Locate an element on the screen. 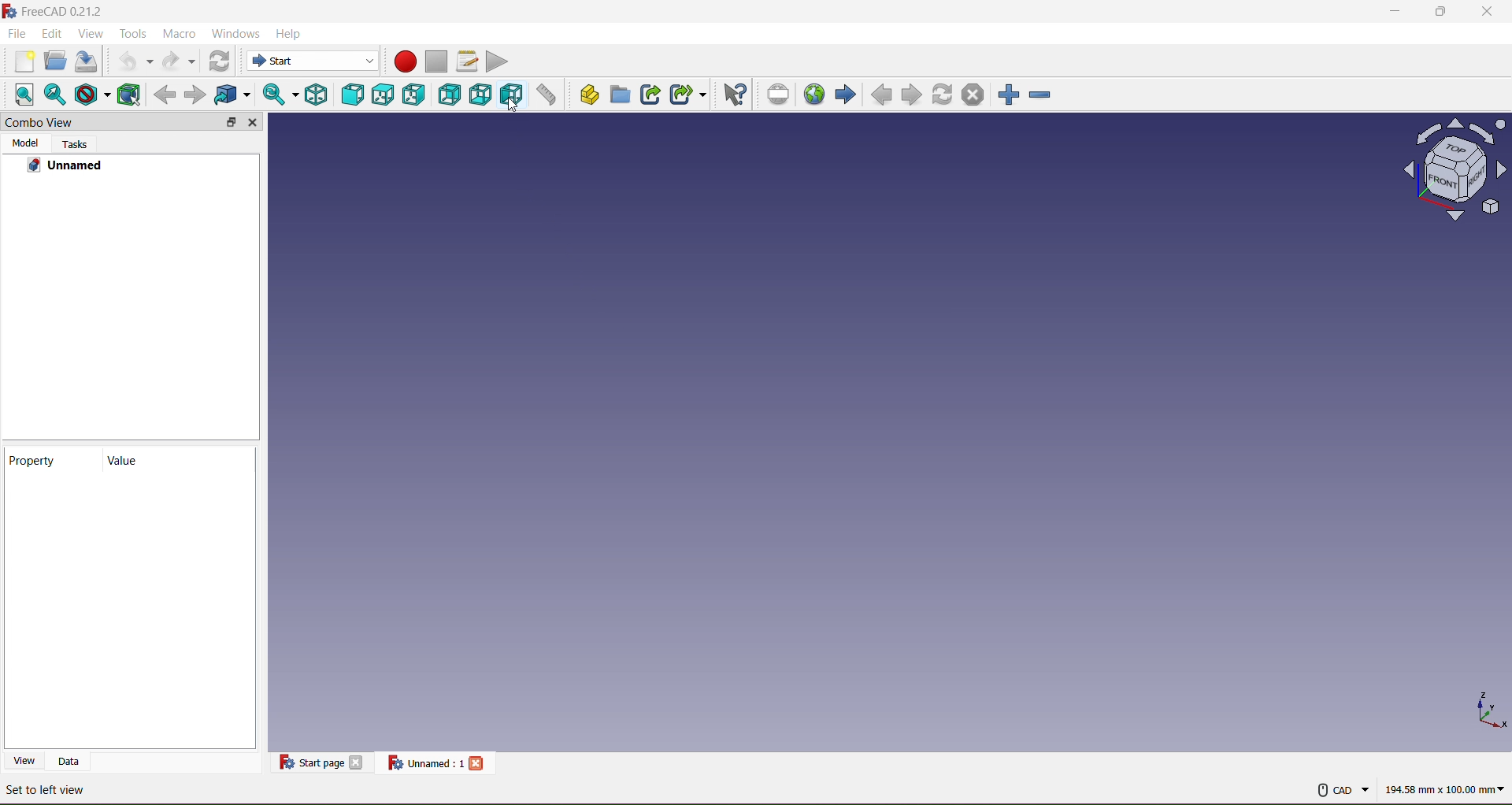  Maximize is located at coordinates (1442, 10).